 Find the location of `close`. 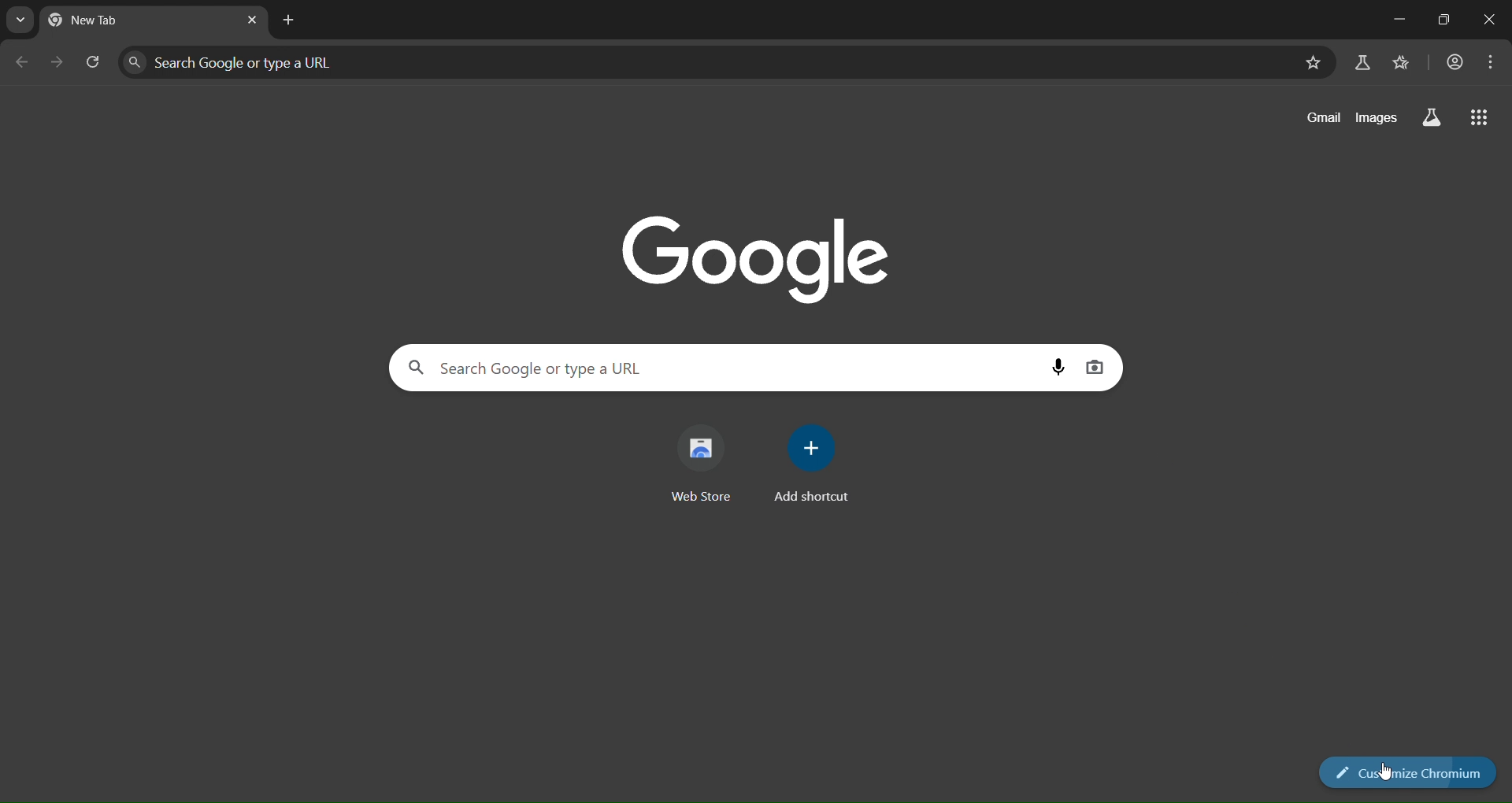

close is located at coordinates (1490, 20).